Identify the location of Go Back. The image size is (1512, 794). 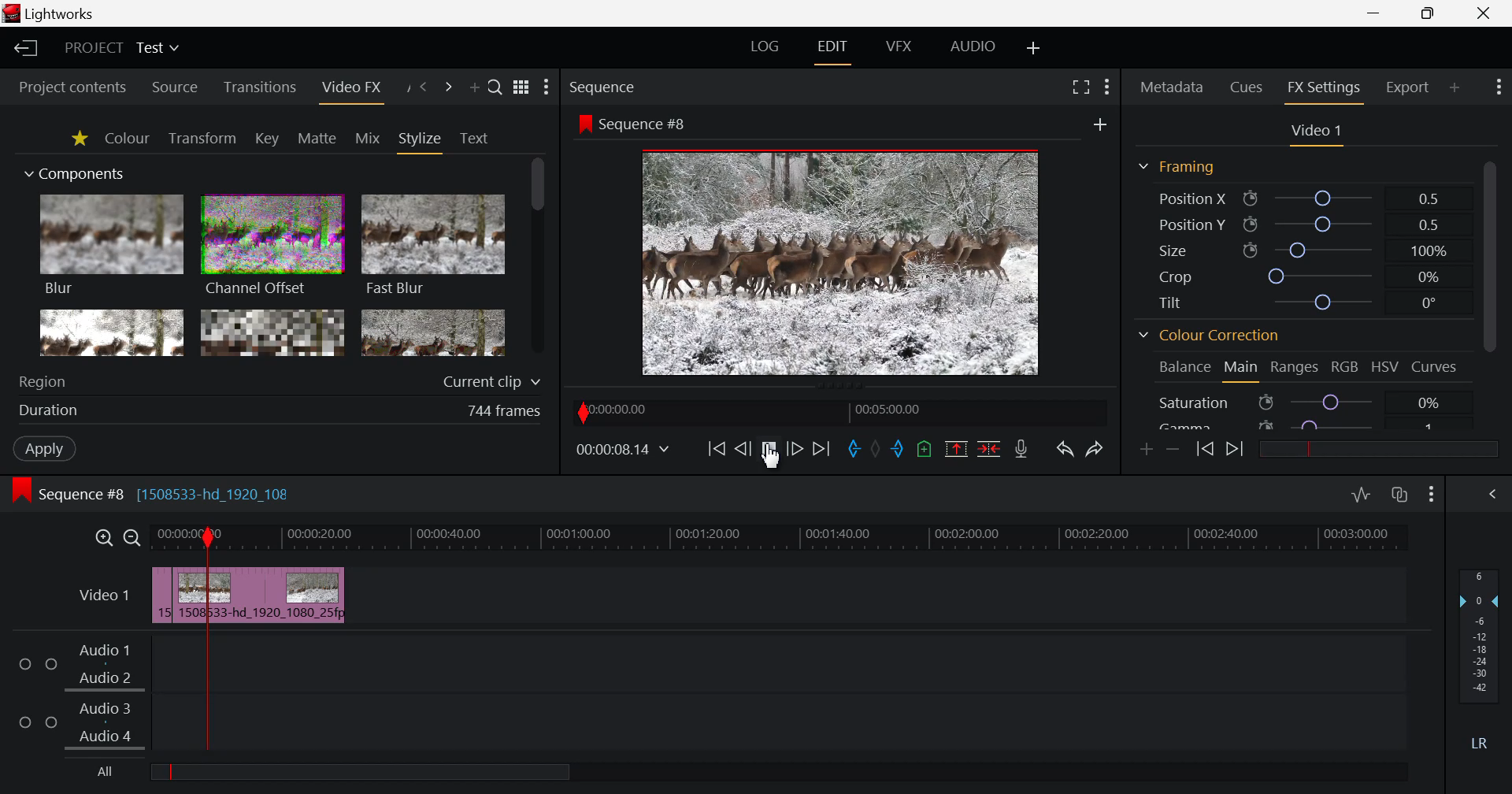
(742, 447).